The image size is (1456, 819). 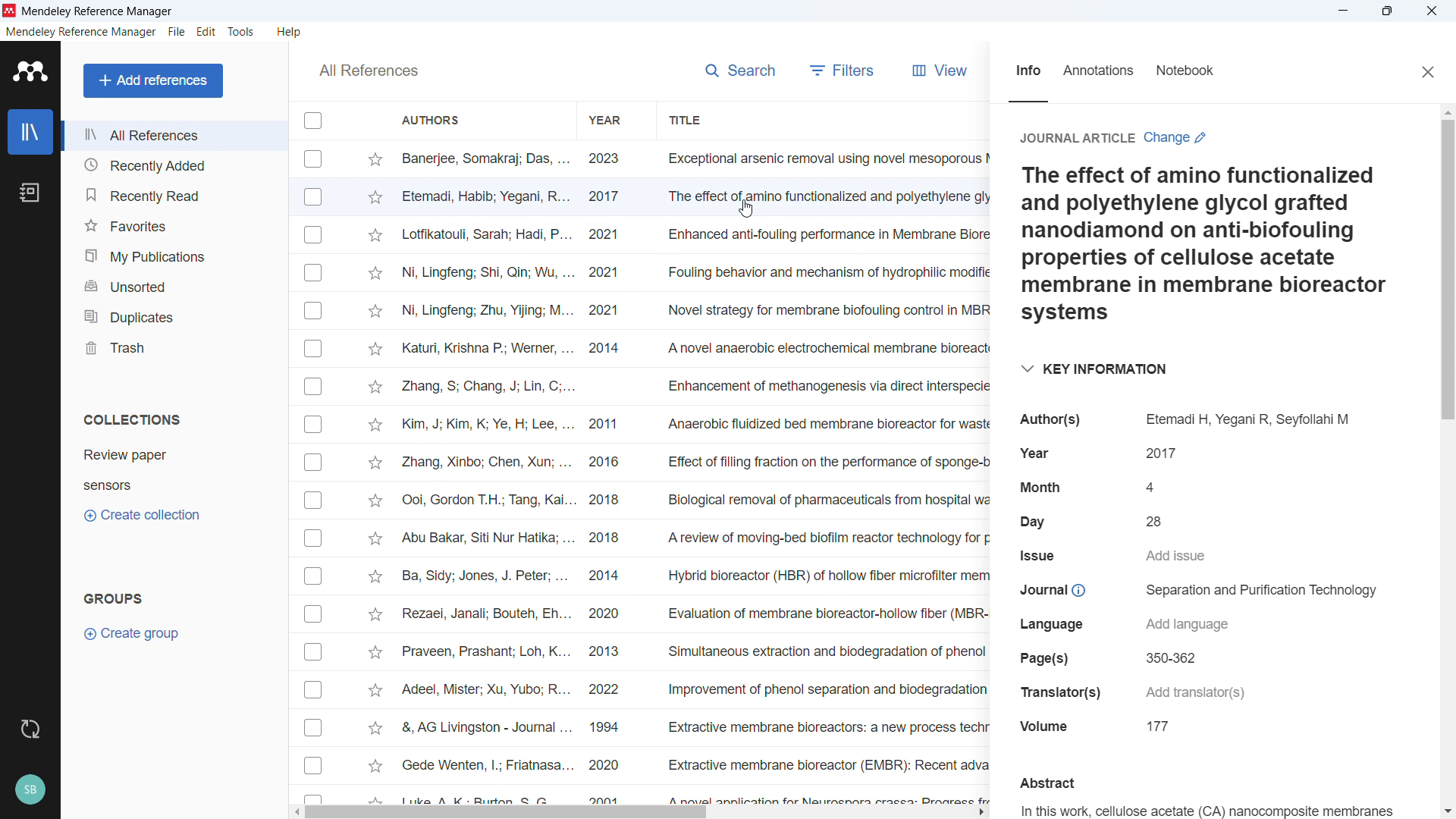 What do you see at coordinates (172, 346) in the screenshot?
I see `trash ` at bounding box center [172, 346].